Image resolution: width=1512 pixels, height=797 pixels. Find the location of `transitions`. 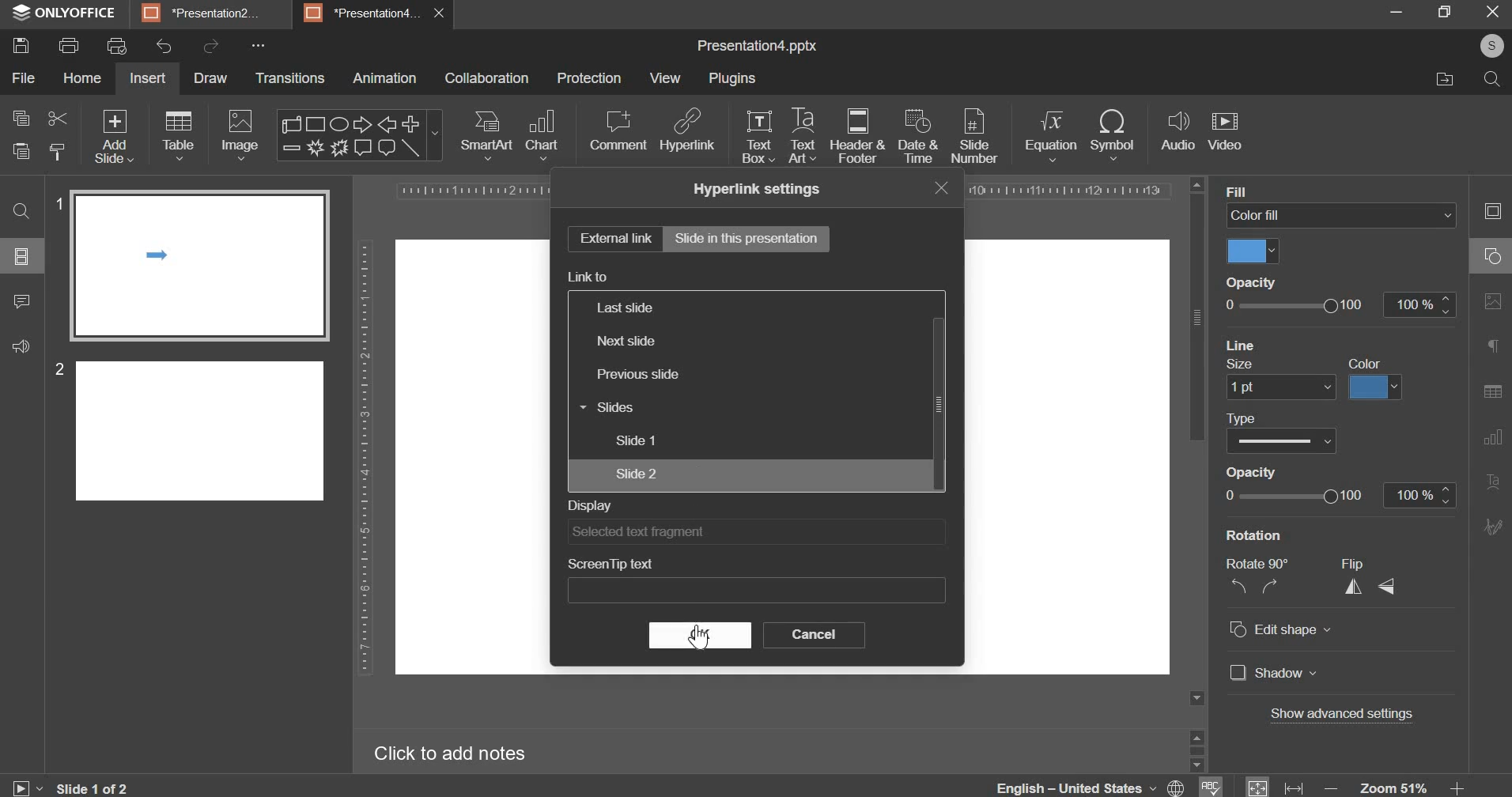

transitions is located at coordinates (291, 79).